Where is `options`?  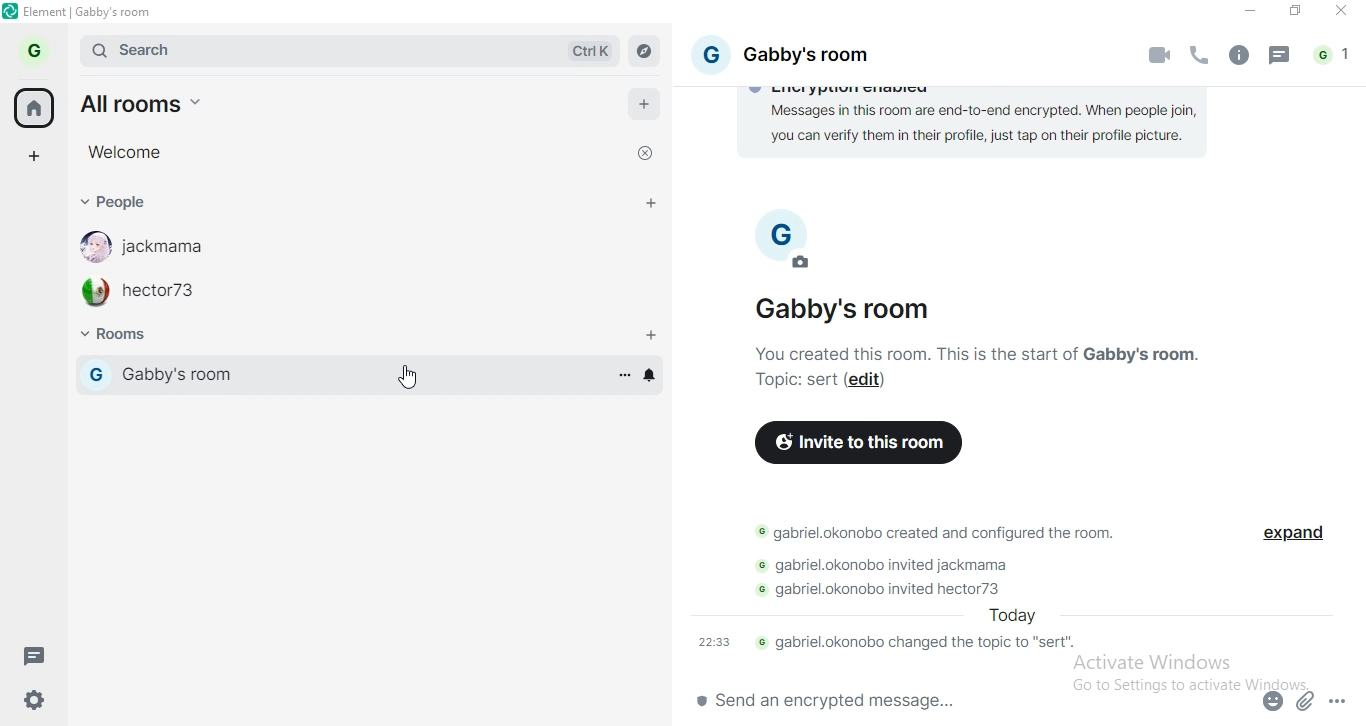
options is located at coordinates (1340, 697).